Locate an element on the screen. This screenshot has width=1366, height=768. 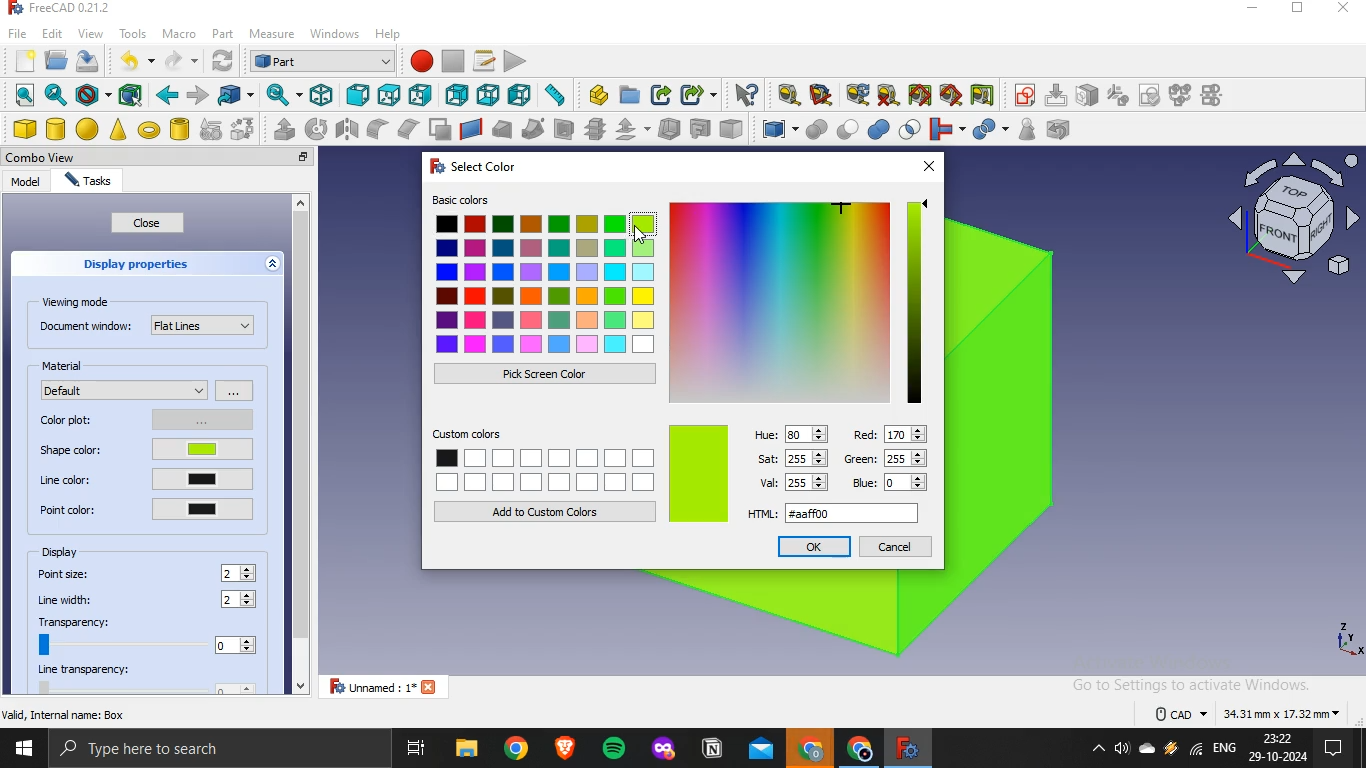
rear is located at coordinates (458, 93).